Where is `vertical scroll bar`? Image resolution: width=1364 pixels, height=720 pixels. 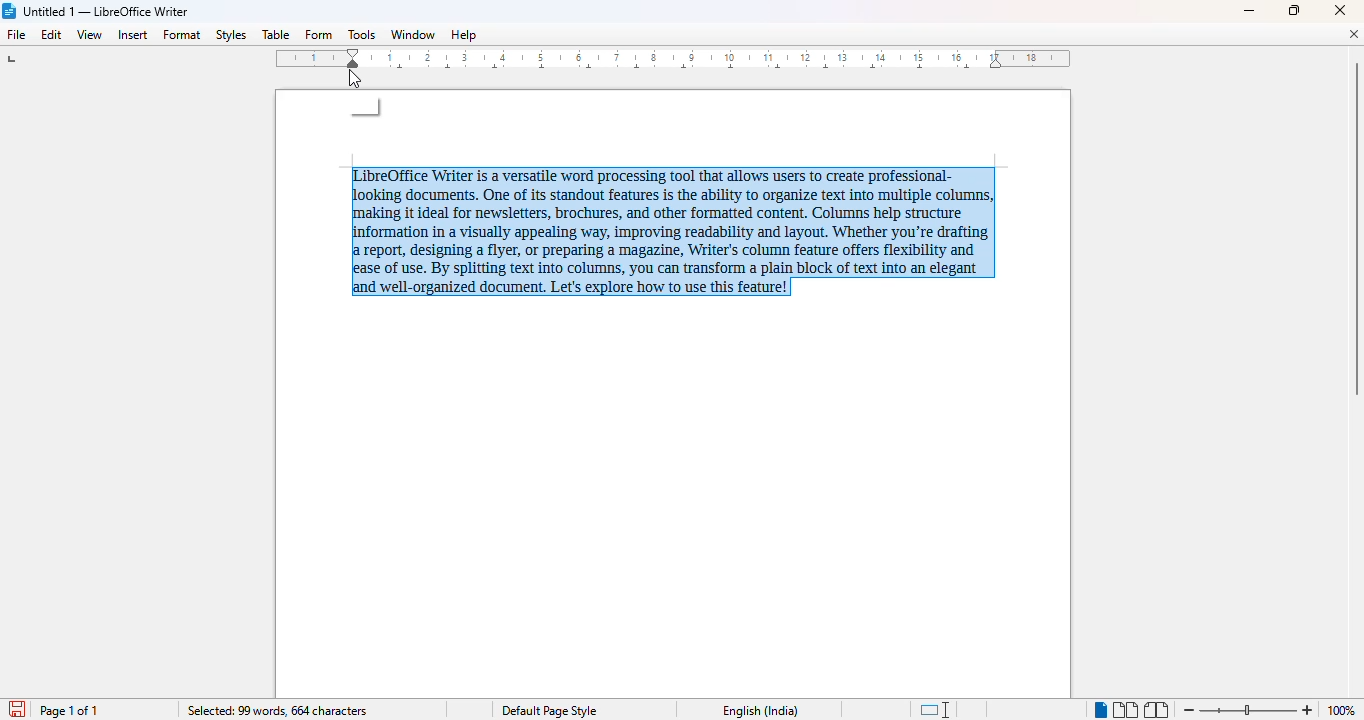 vertical scroll bar is located at coordinates (1355, 229).